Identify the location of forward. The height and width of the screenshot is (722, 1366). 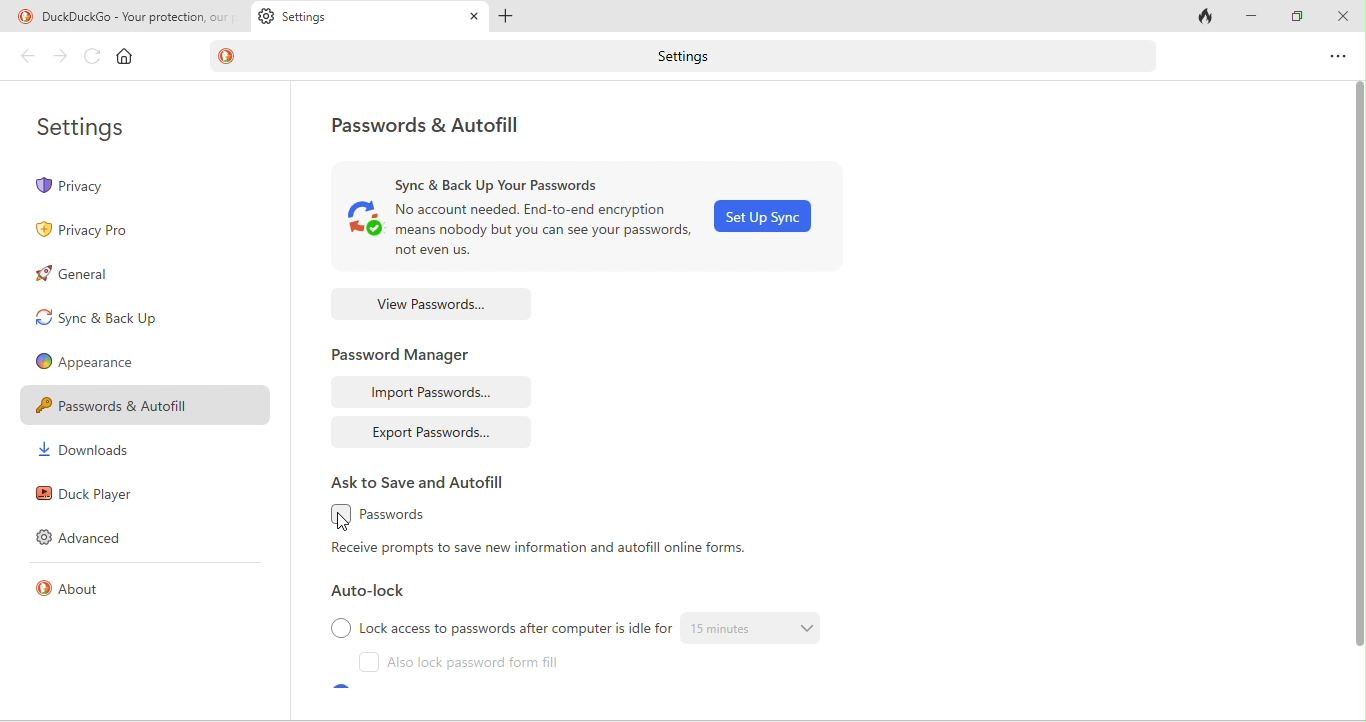
(56, 57).